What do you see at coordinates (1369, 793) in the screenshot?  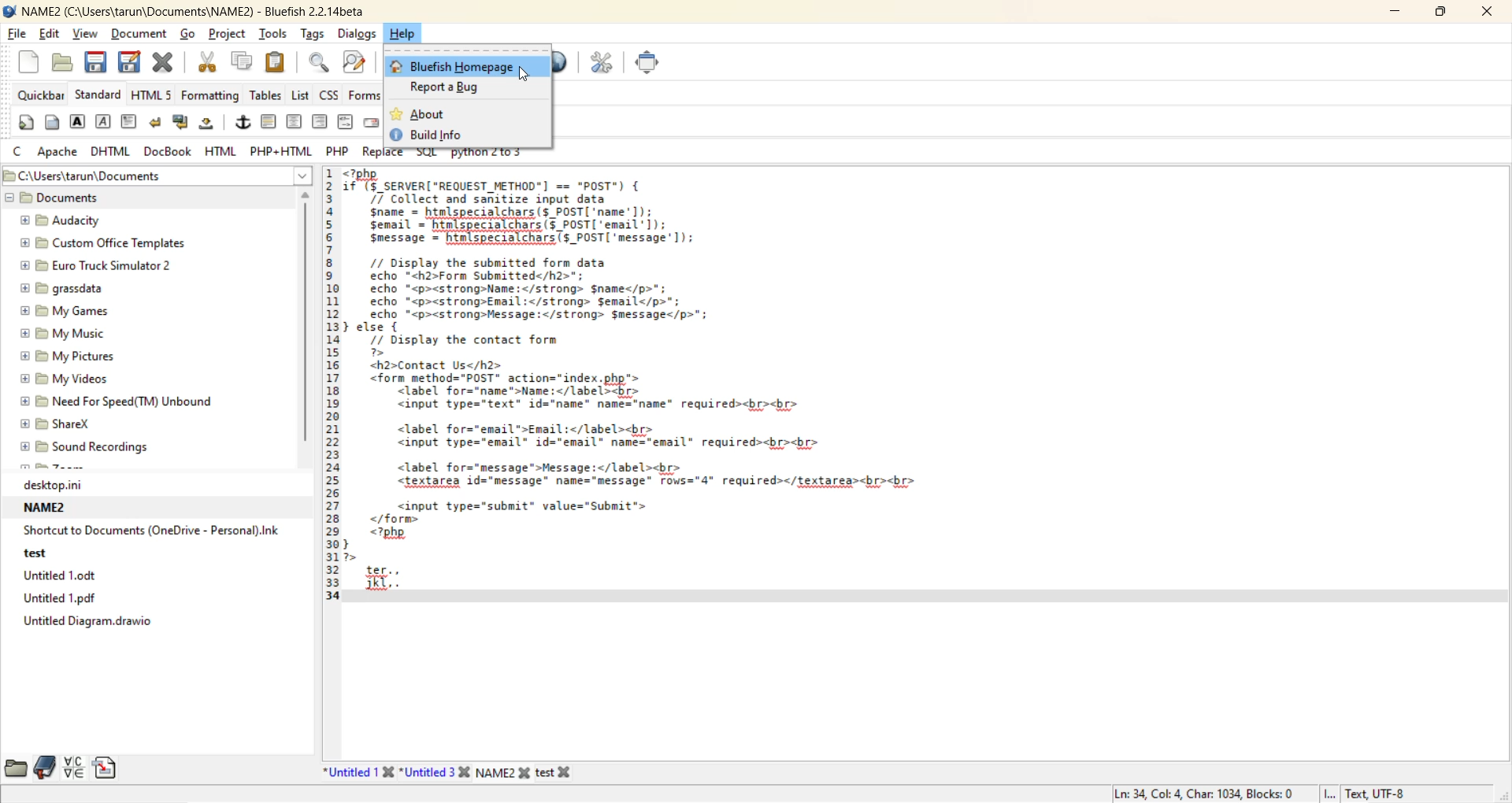 I see `Text, UTF-8` at bounding box center [1369, 793].